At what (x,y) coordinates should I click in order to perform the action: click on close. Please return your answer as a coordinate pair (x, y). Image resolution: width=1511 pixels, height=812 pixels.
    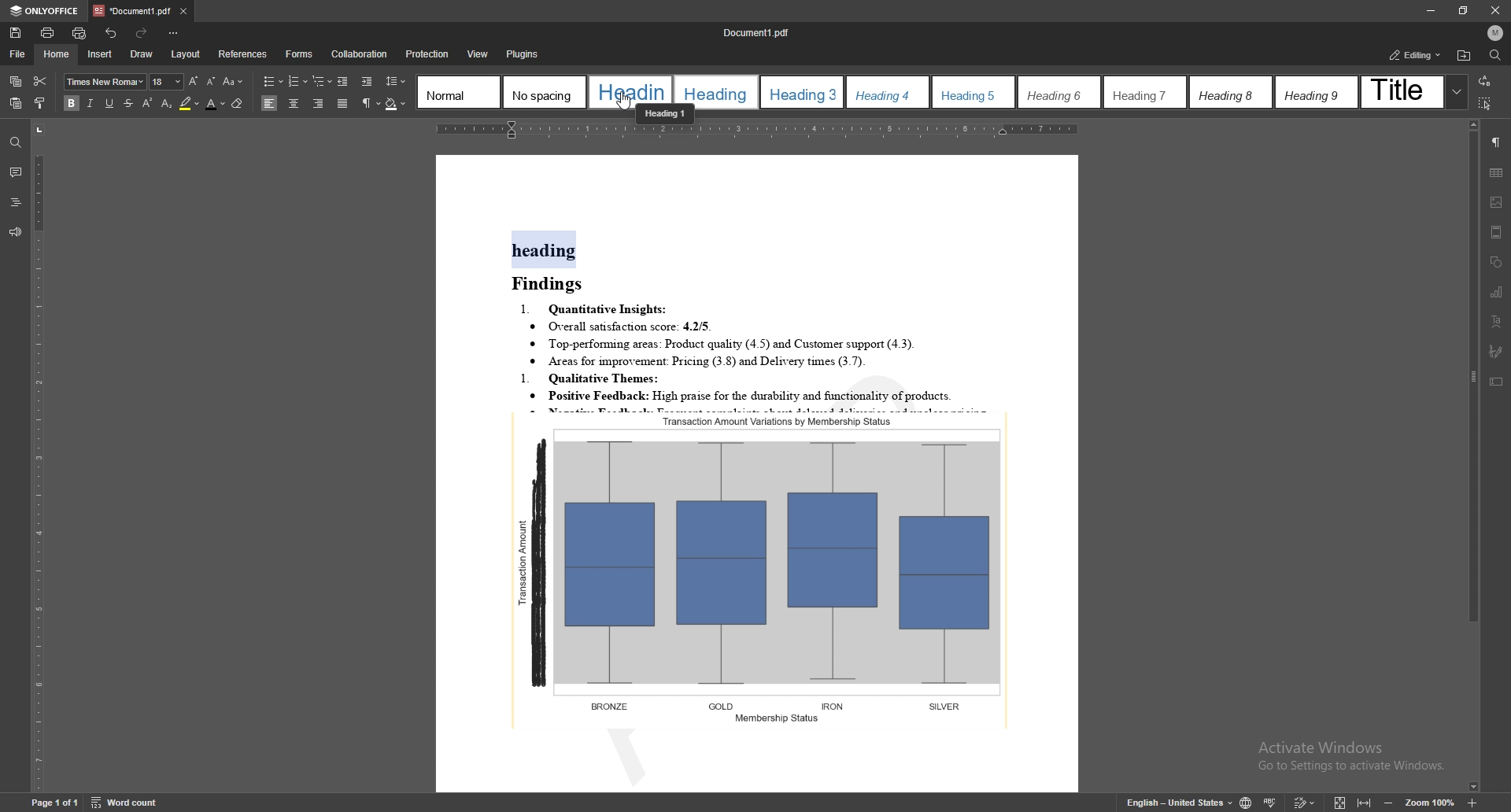
    Looking at the image, I should click on (1497, 11).